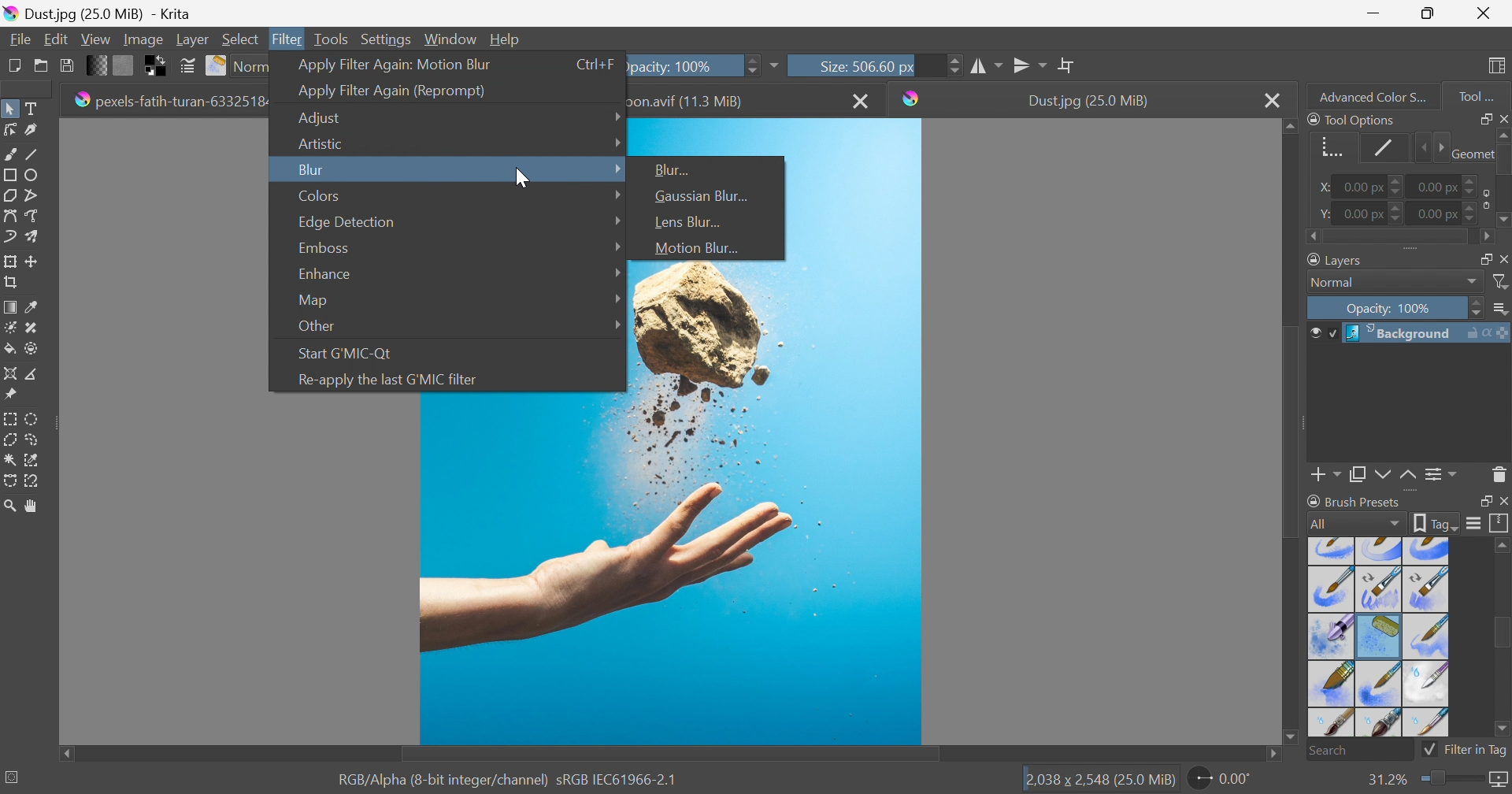  Describe the element at coordinates (614, 195) in the screenshot. I see `Drop Down` at that location.